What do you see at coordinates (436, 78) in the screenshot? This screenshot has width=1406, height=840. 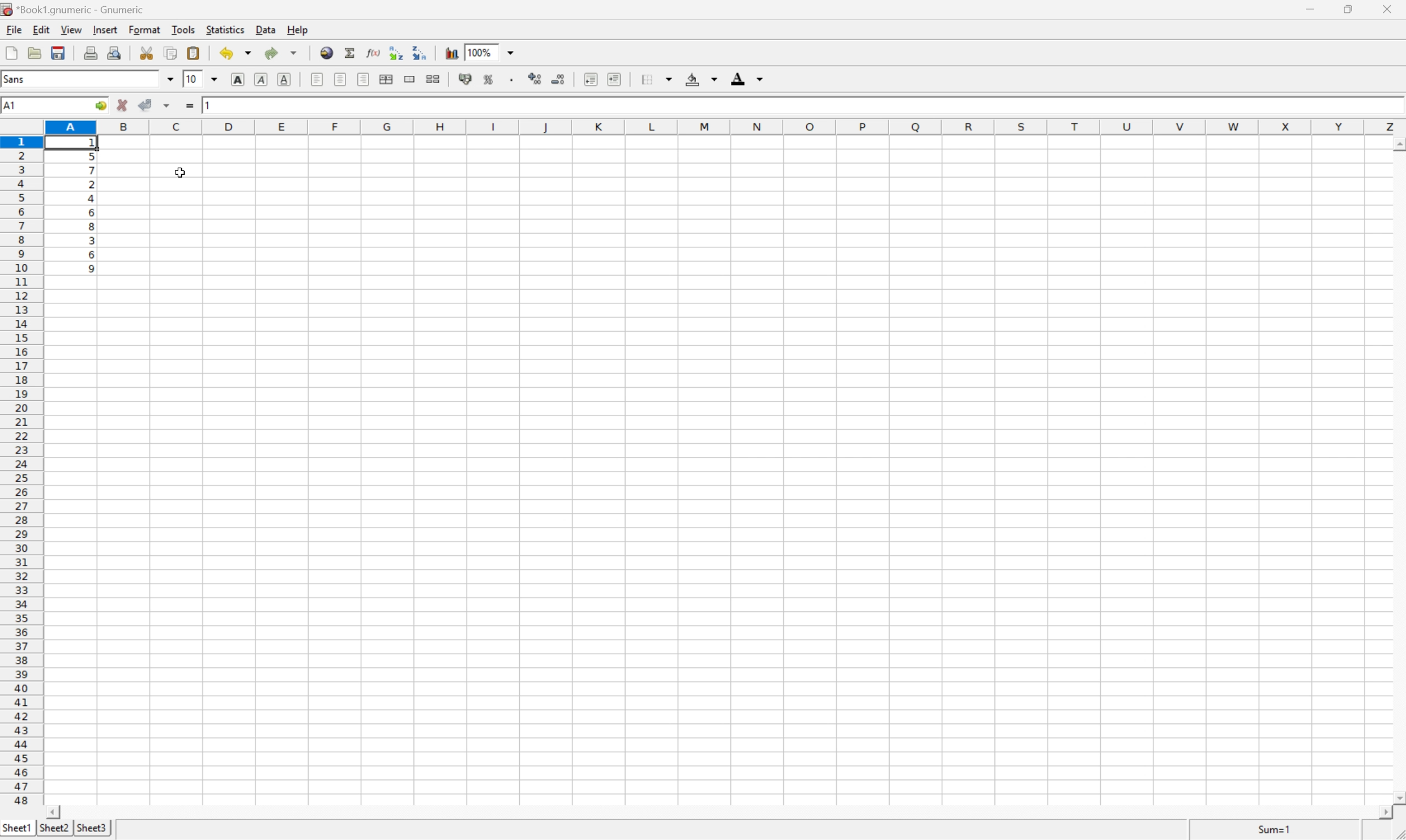 I see `split range of merged cells` at bounding box center [436, 78].